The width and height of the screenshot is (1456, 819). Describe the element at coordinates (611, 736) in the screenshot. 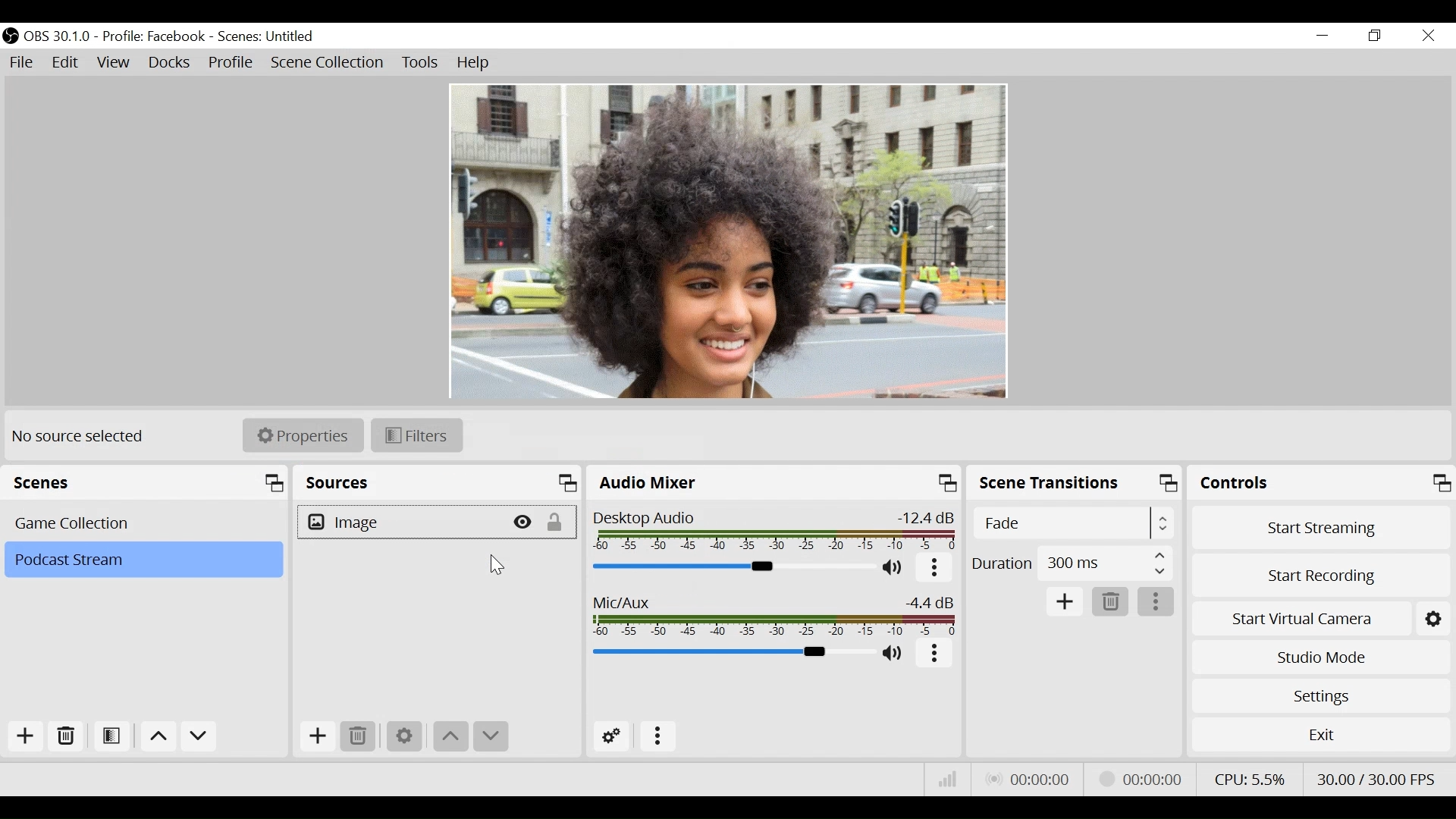

I see `Advanced Audio Settings` at that location.